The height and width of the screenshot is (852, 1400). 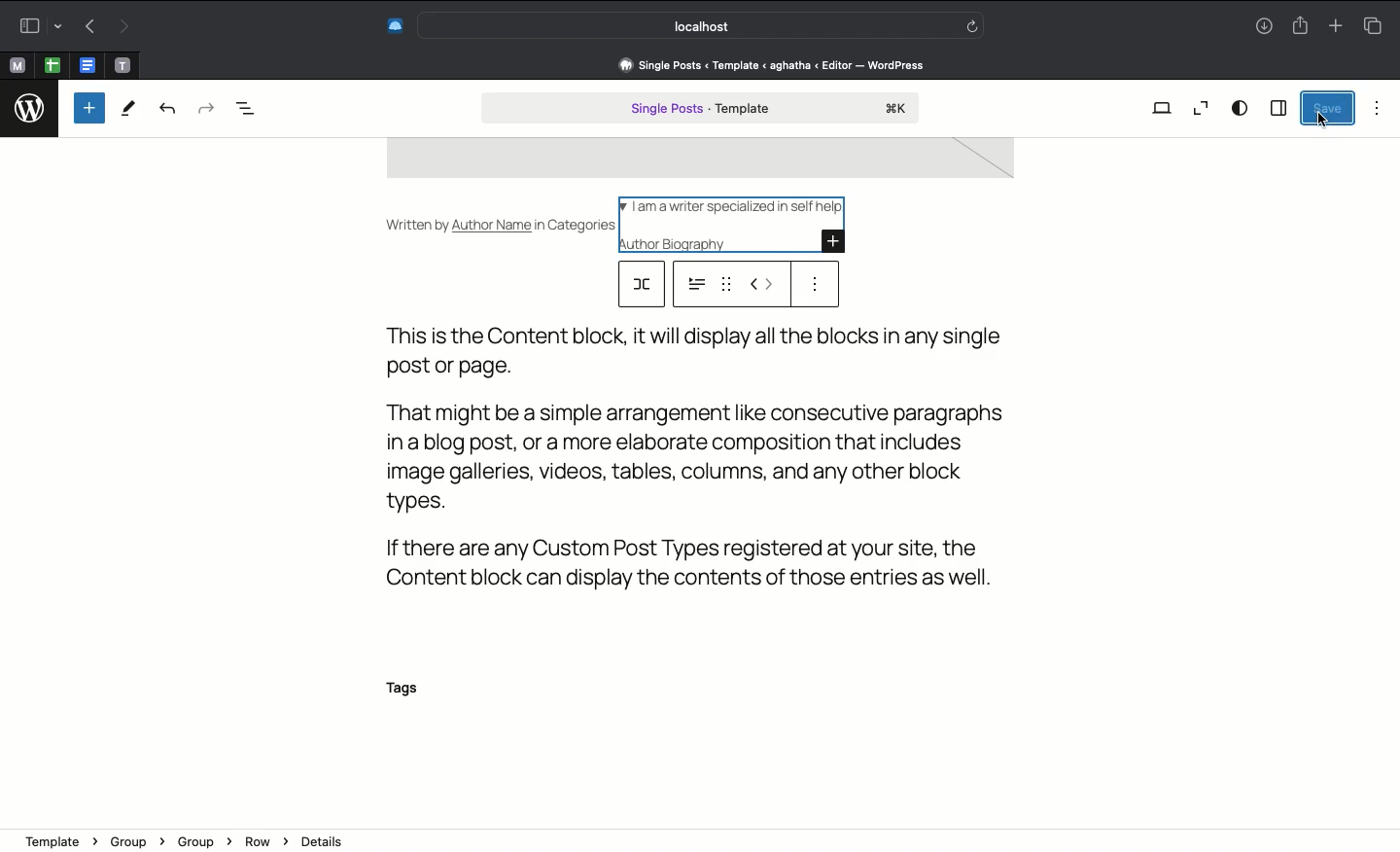 I want to click on View options, so click(x=1240, y=107).